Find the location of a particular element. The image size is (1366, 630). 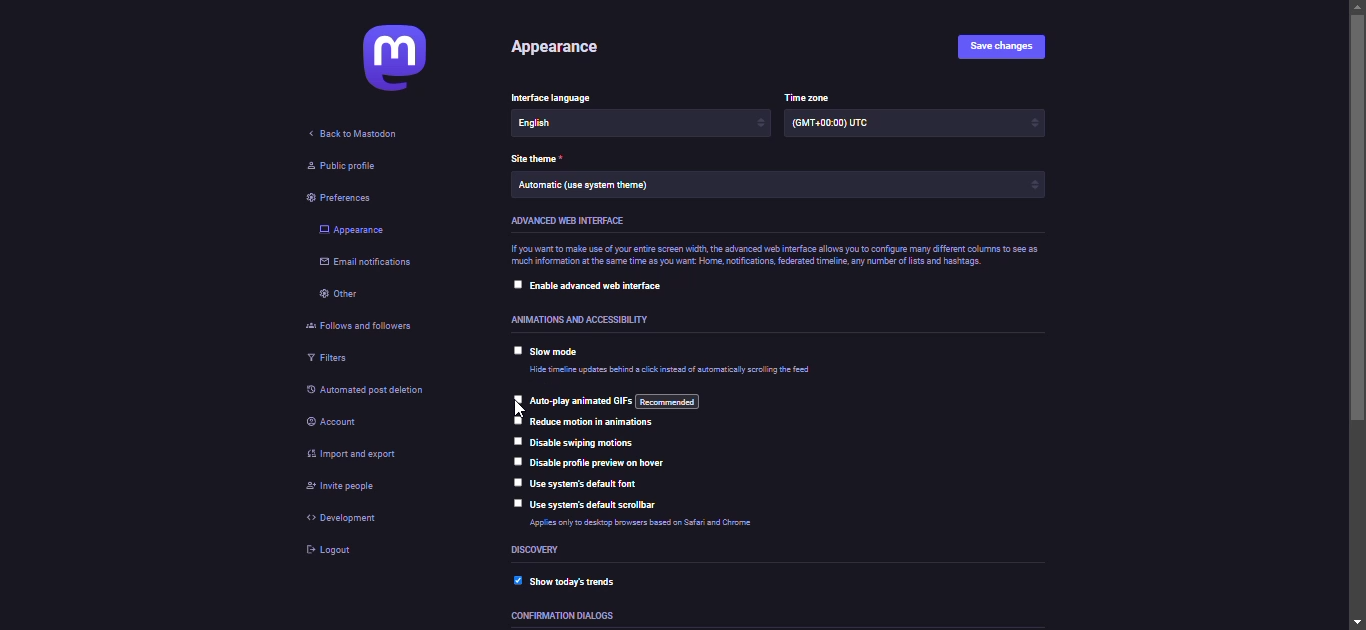

click to select is located at coordinates (513, 480).